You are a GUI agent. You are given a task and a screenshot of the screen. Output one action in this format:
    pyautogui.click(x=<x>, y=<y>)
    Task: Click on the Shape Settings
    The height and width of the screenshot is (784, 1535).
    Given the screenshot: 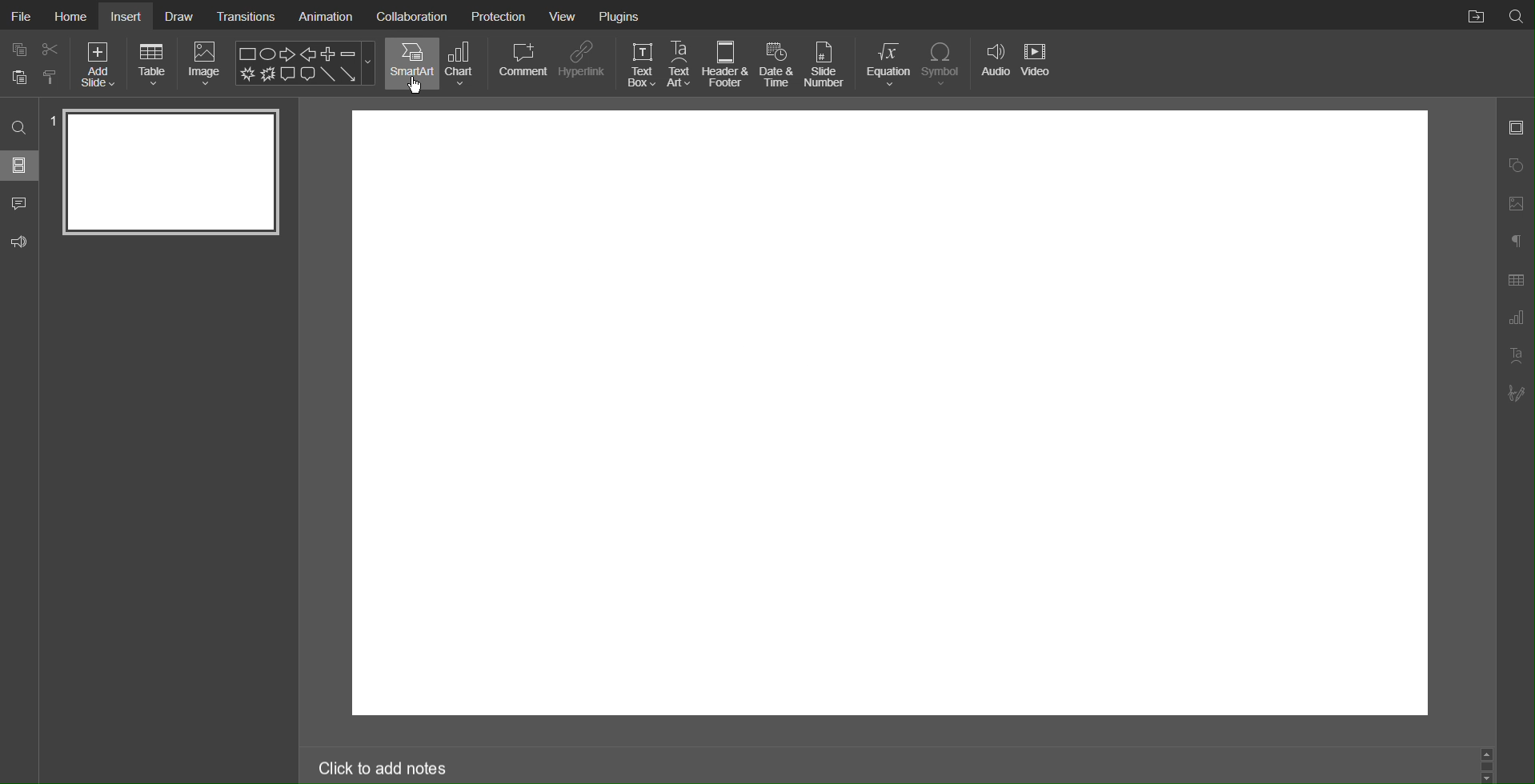 What is the action you would take?
    pyautogui.click(x=1515, y=166)
    